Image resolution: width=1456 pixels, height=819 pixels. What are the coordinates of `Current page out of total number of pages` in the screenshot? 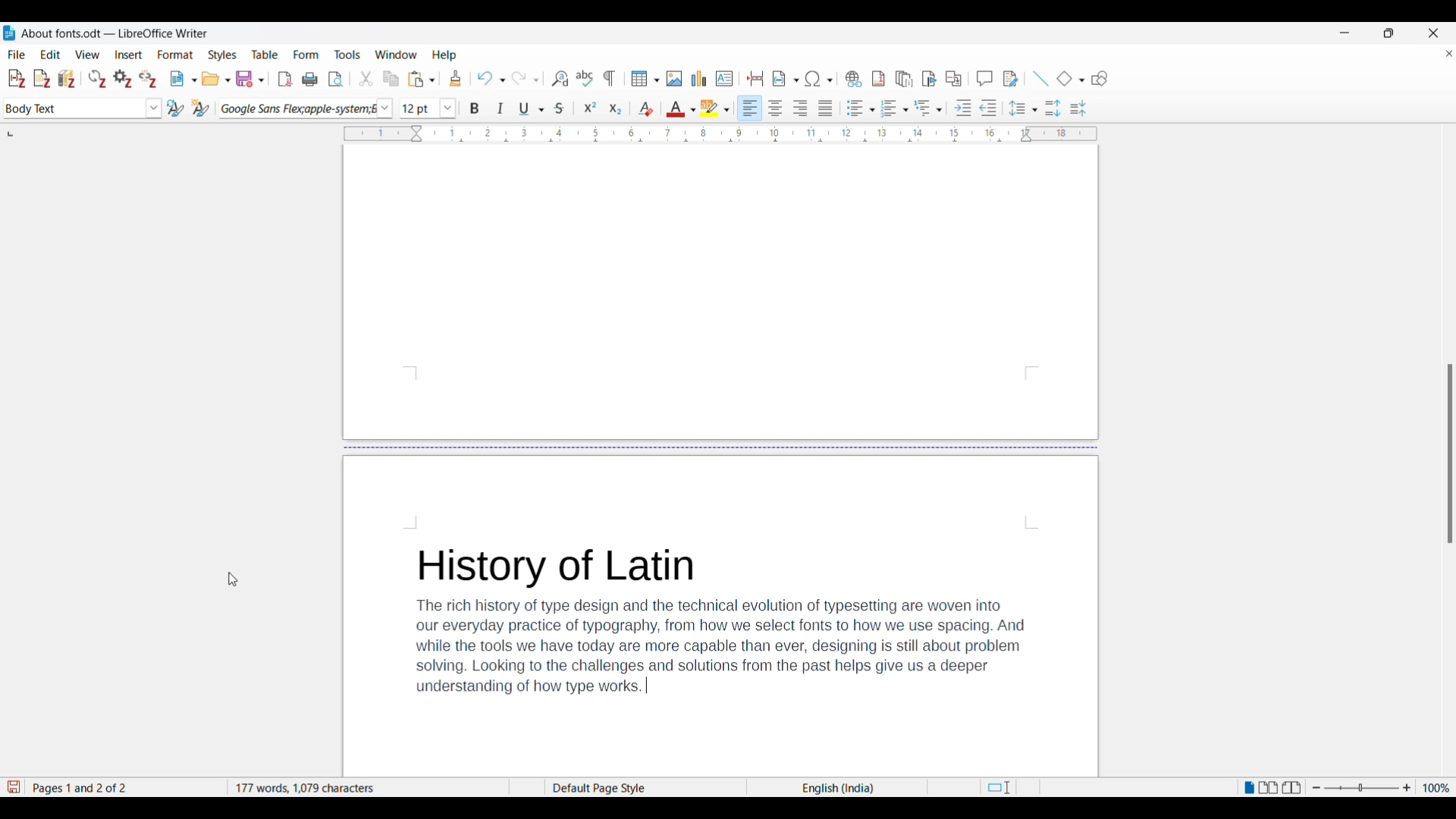 It's located at (124, 788).